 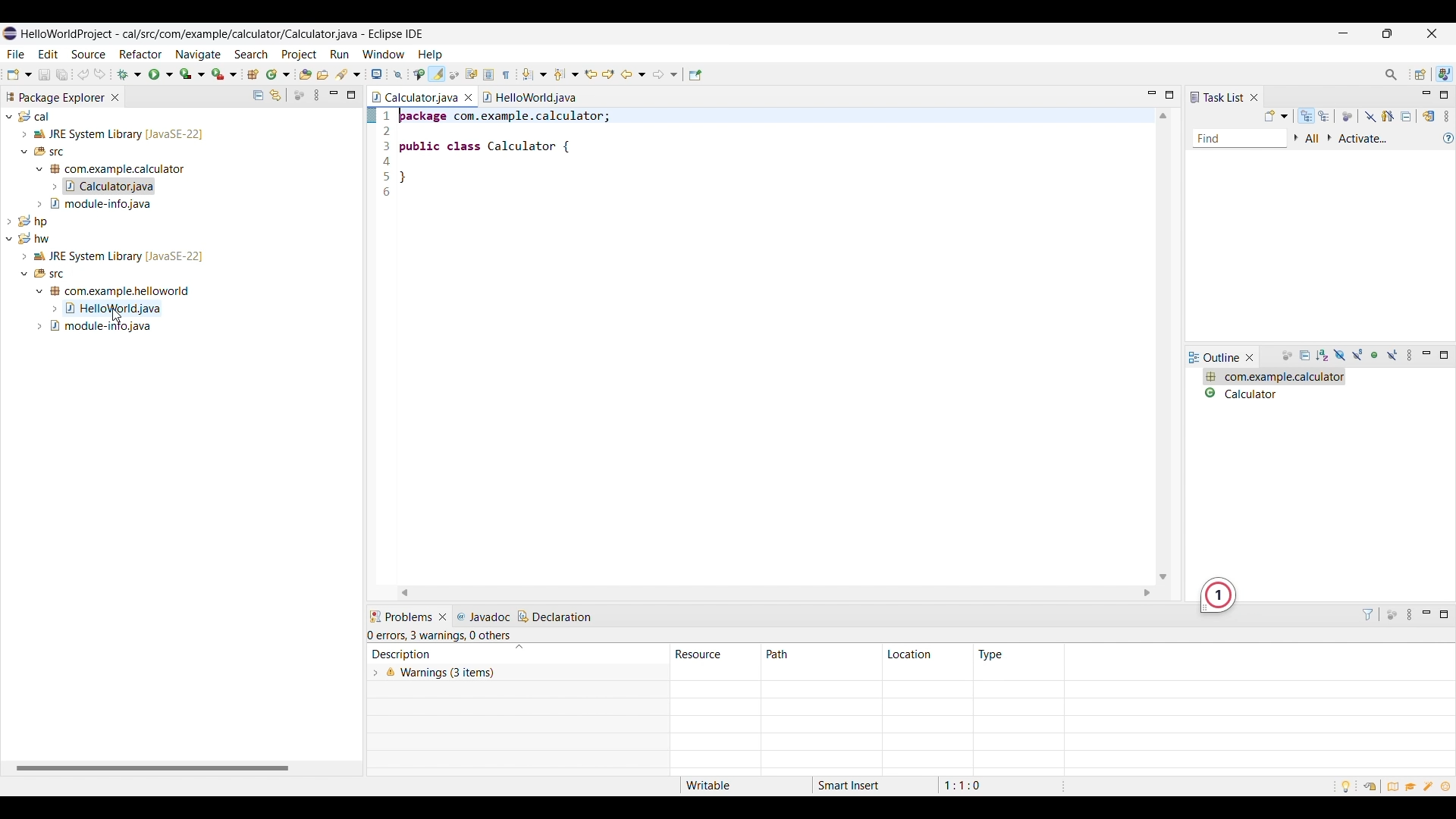 I want to click on Hide fields, so click(x=1338, y=356).